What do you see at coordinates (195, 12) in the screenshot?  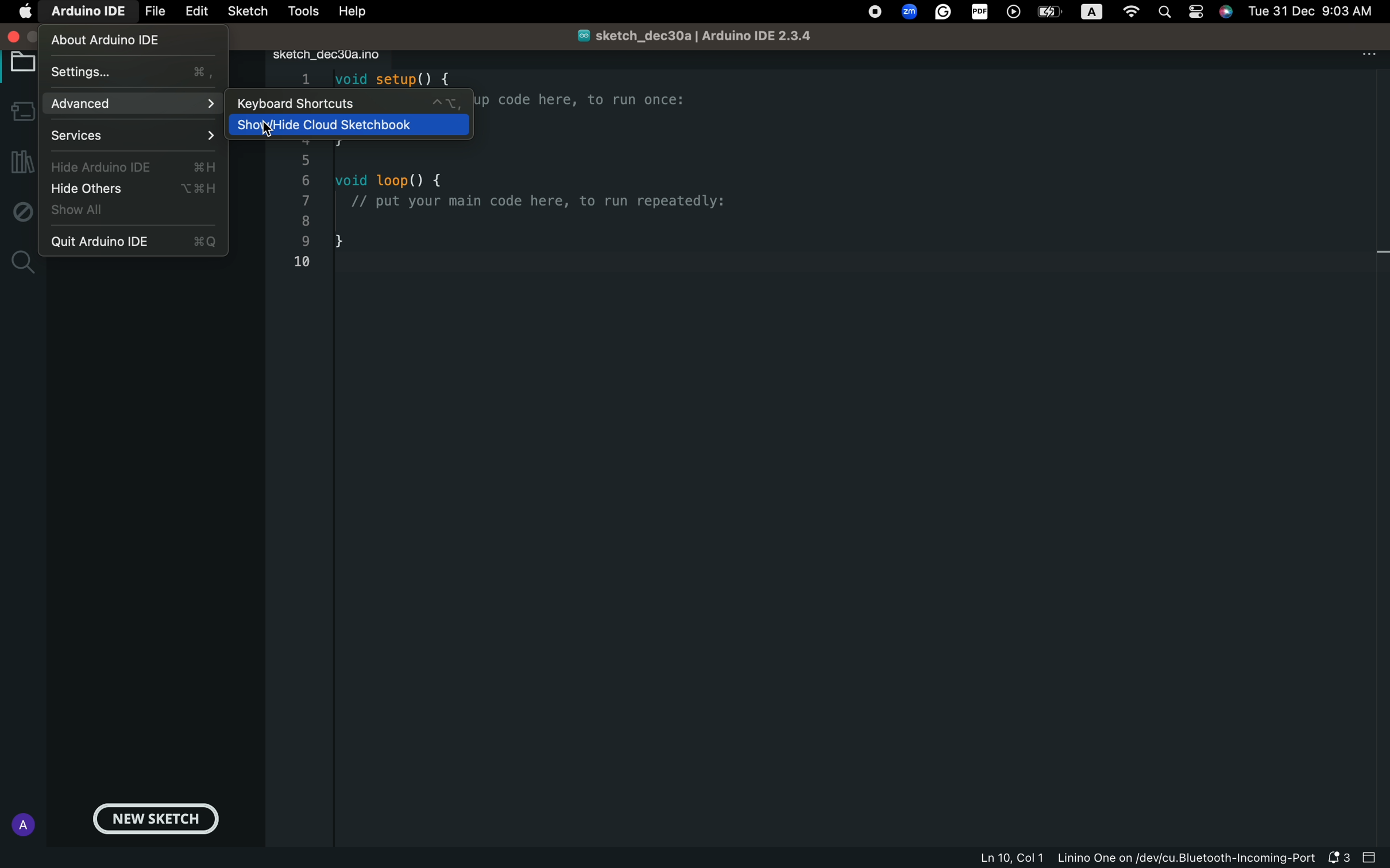 I see `edit` at bounding box center [195, 12].